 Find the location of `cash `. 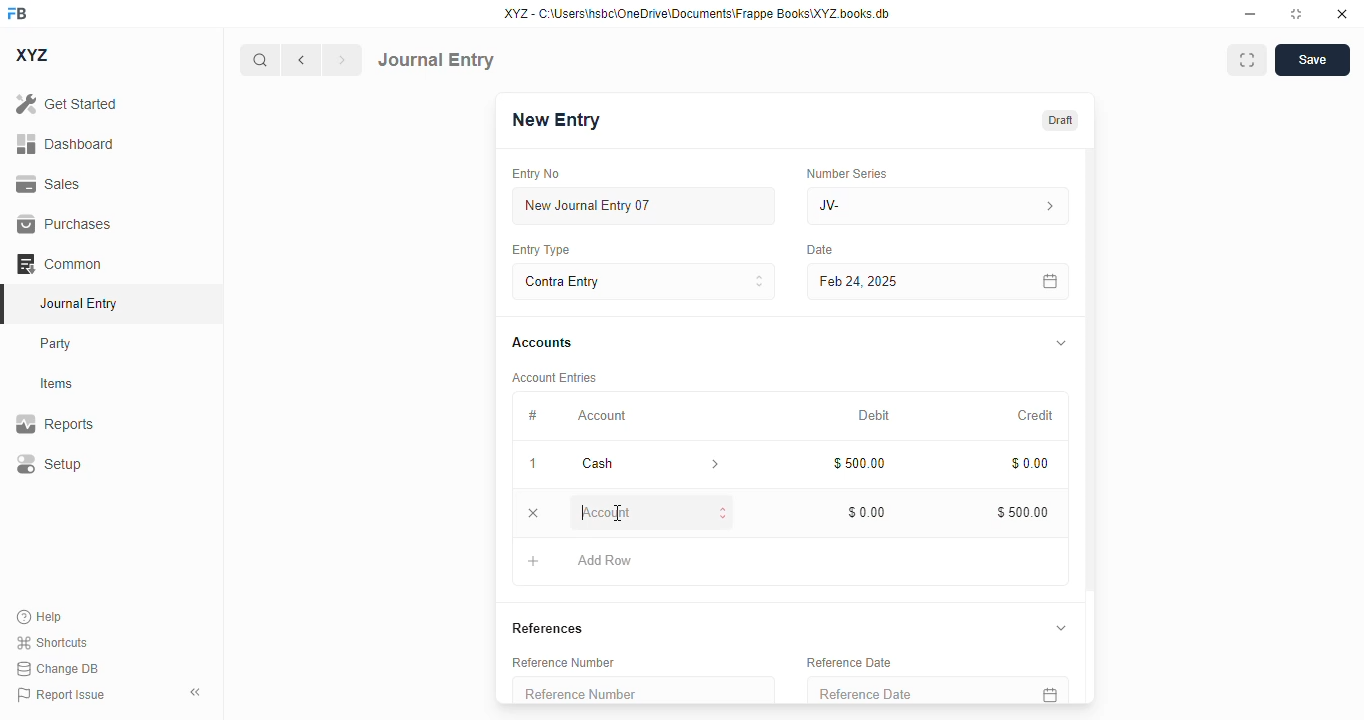

cash  is located at coordinates (626, 464).